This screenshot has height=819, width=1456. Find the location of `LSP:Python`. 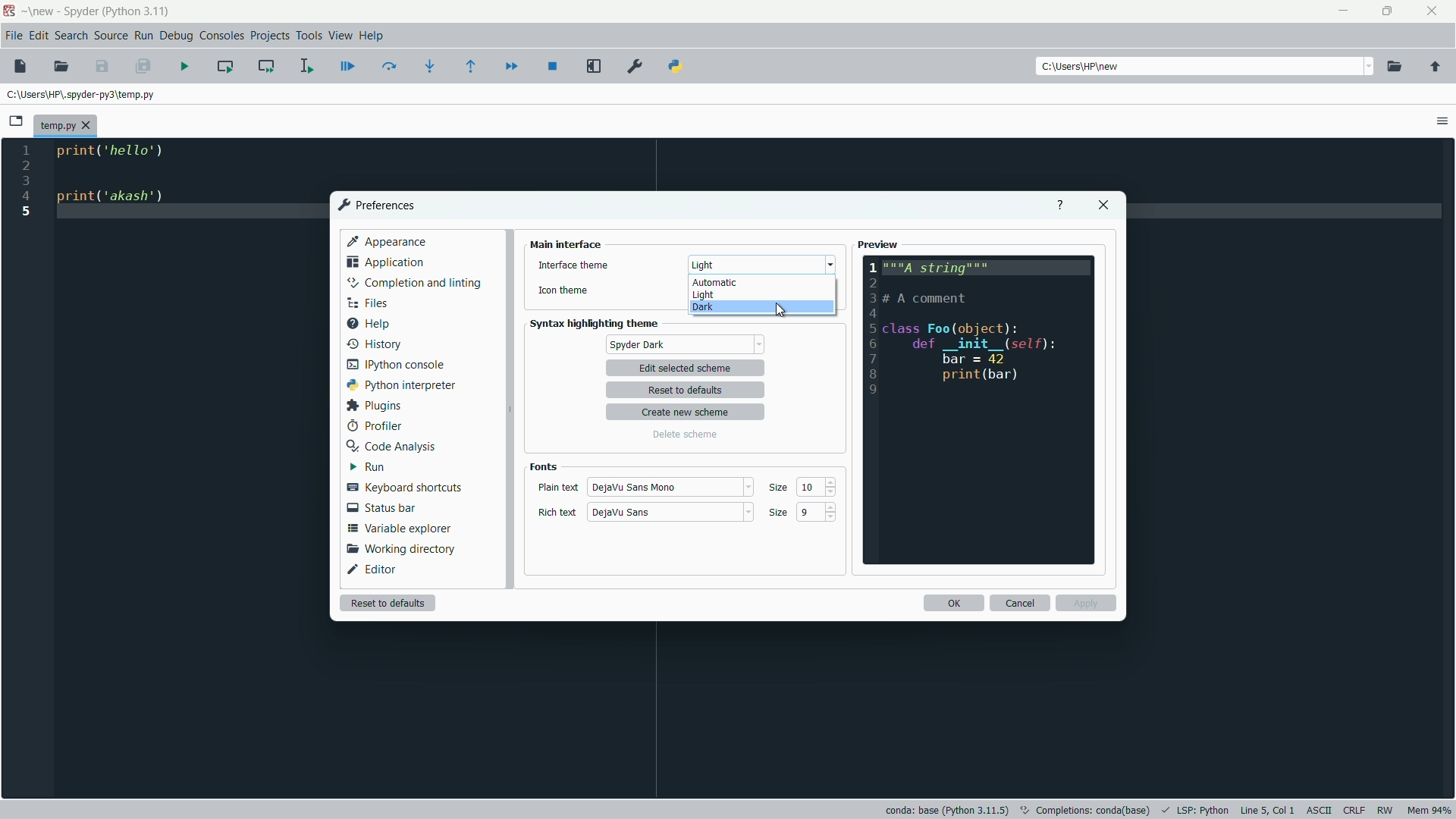

LSP:Python is located at coordinates (1203, 810).